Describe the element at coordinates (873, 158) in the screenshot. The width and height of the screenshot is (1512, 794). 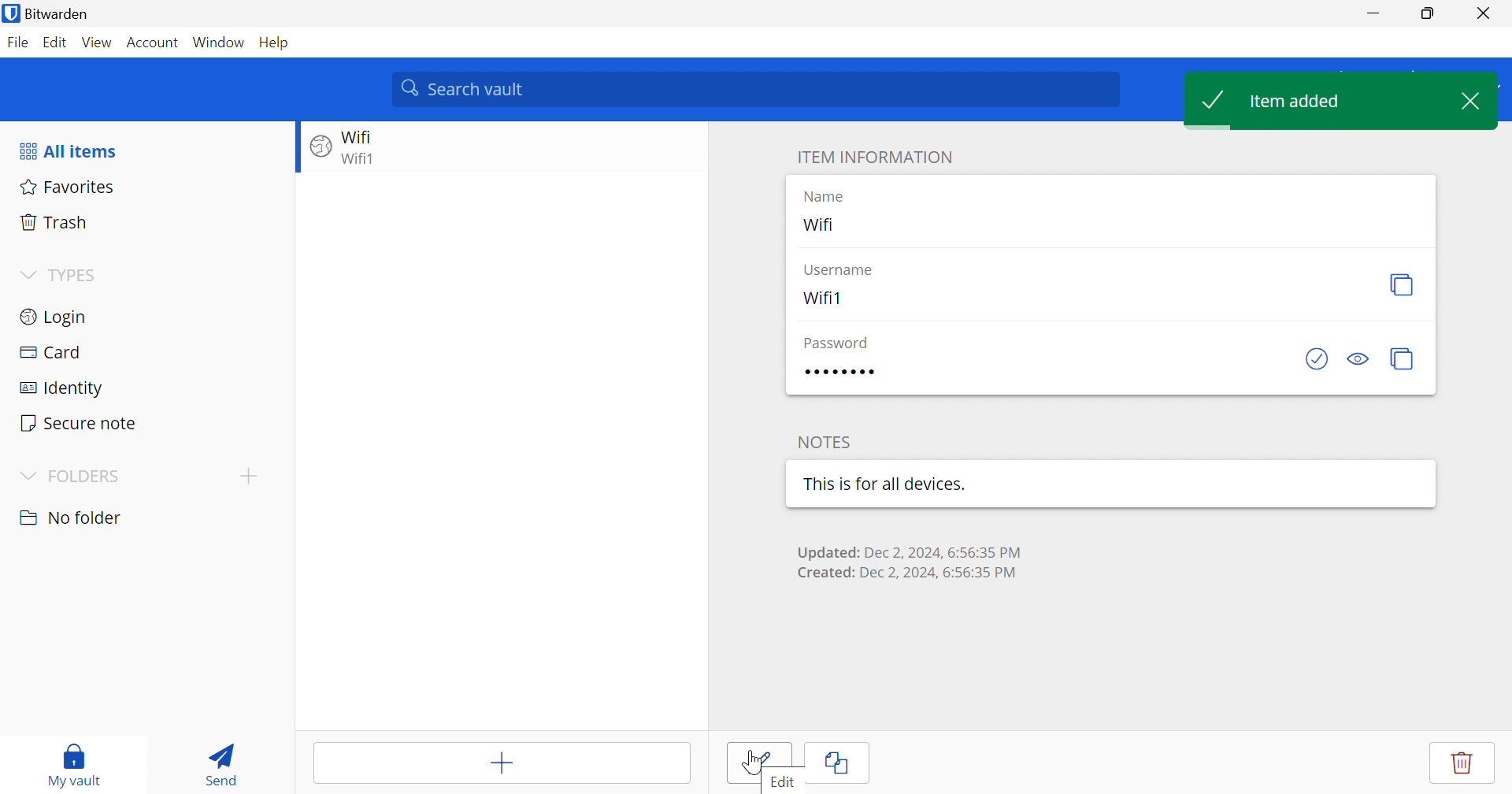
I see `ITEM INFORMATION` at that location.